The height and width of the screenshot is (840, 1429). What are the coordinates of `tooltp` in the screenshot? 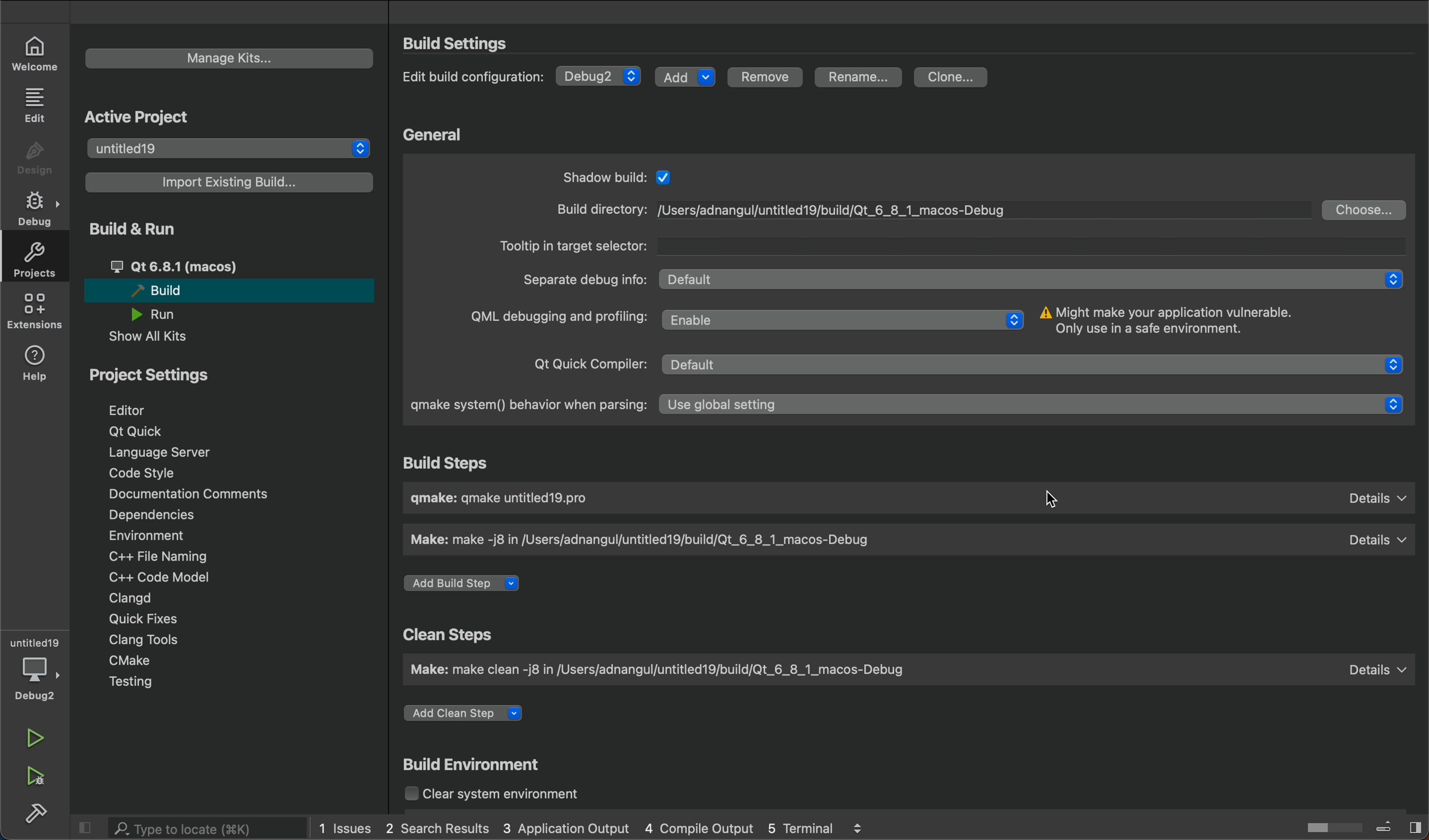 It's located at (574, 243).